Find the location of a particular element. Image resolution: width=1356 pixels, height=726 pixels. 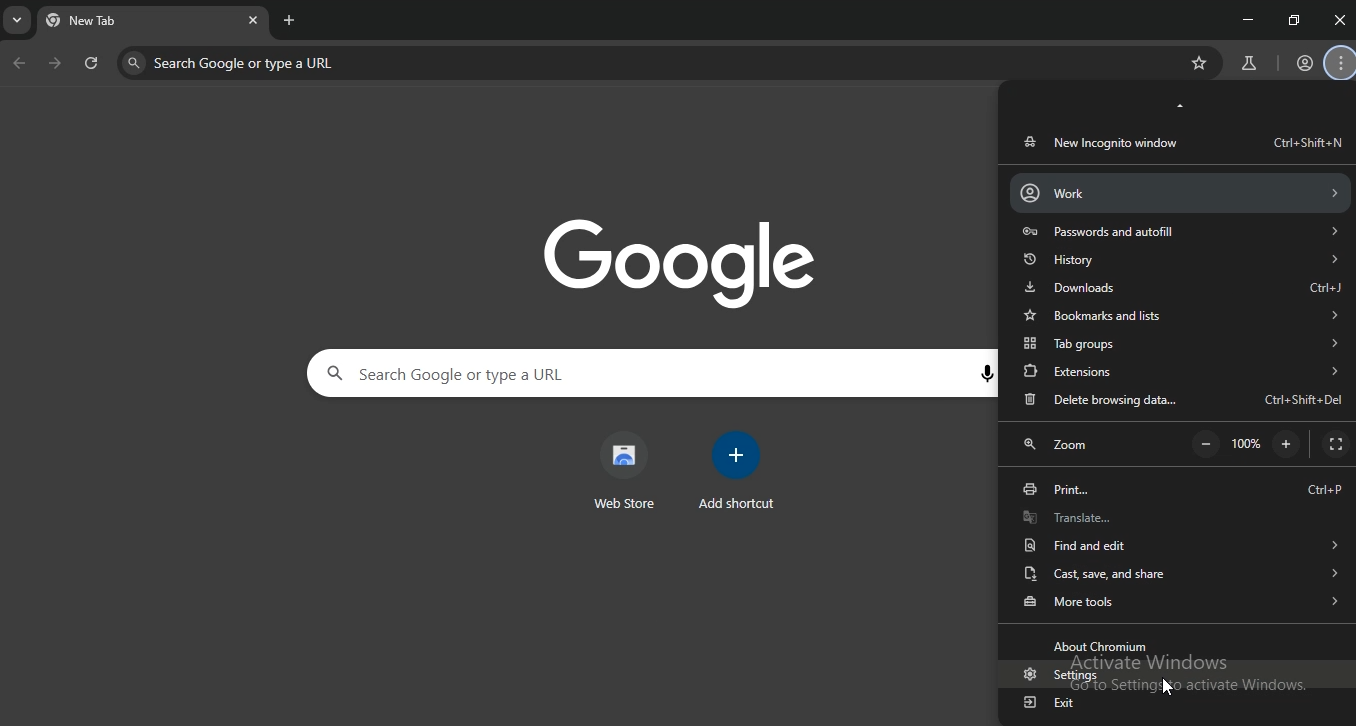

zoom out is located at coordinates (1286, 443).